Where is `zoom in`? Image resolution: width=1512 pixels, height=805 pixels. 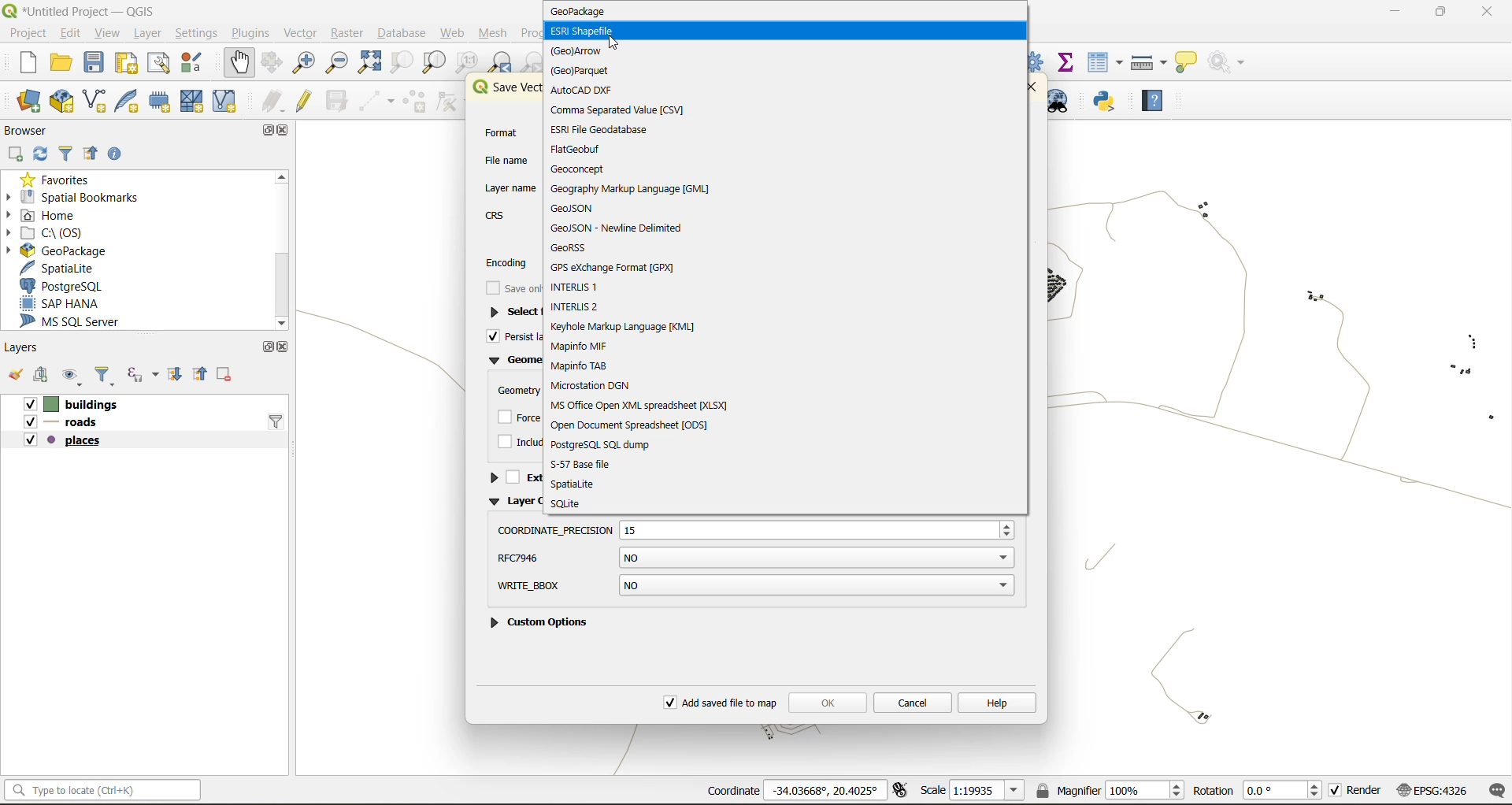
zoom in is located at coordinates (307, 63).